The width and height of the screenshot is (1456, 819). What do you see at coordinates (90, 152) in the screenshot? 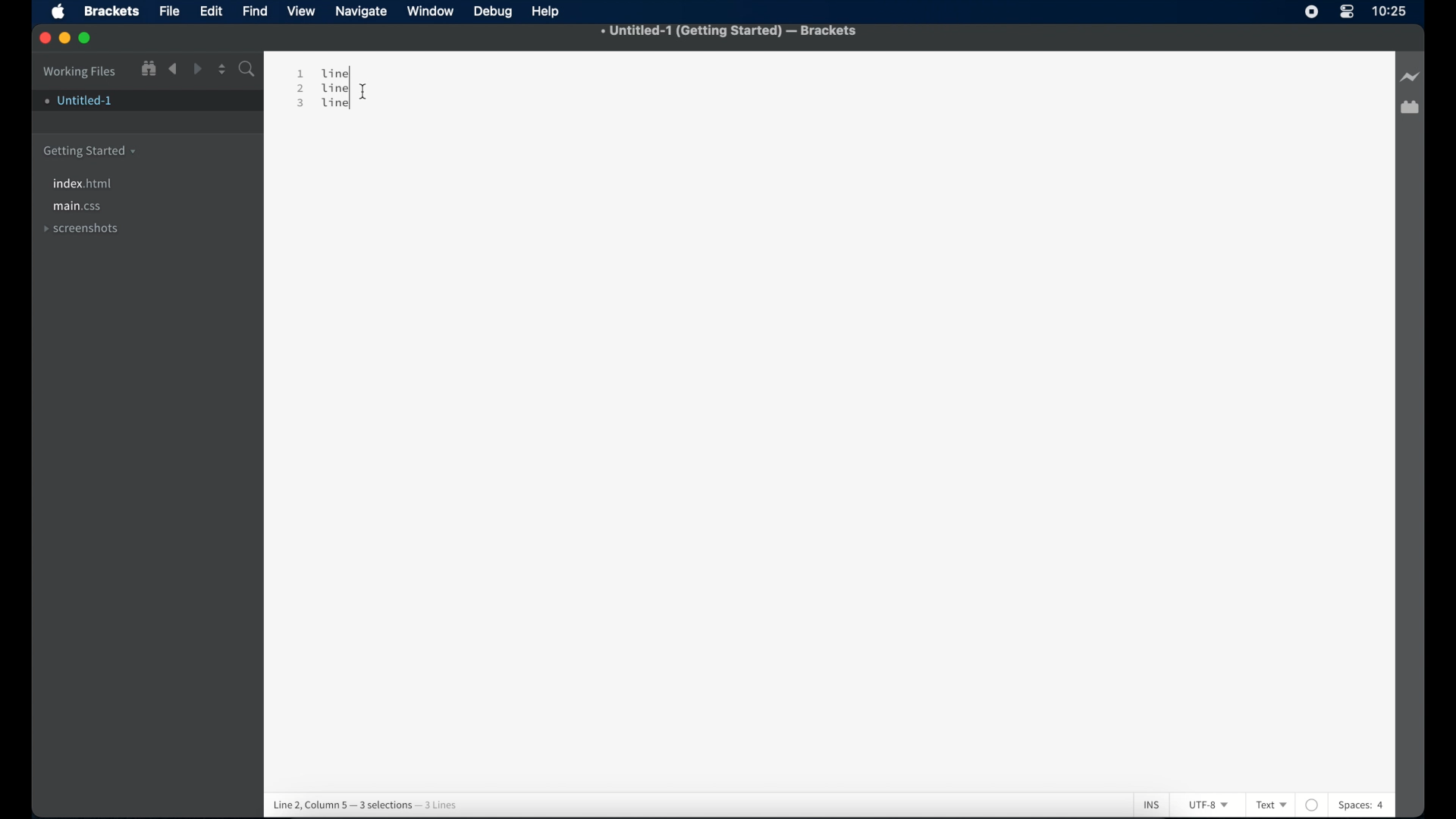
I see `getting started dropdown menu` at bounding box center [90, 152].